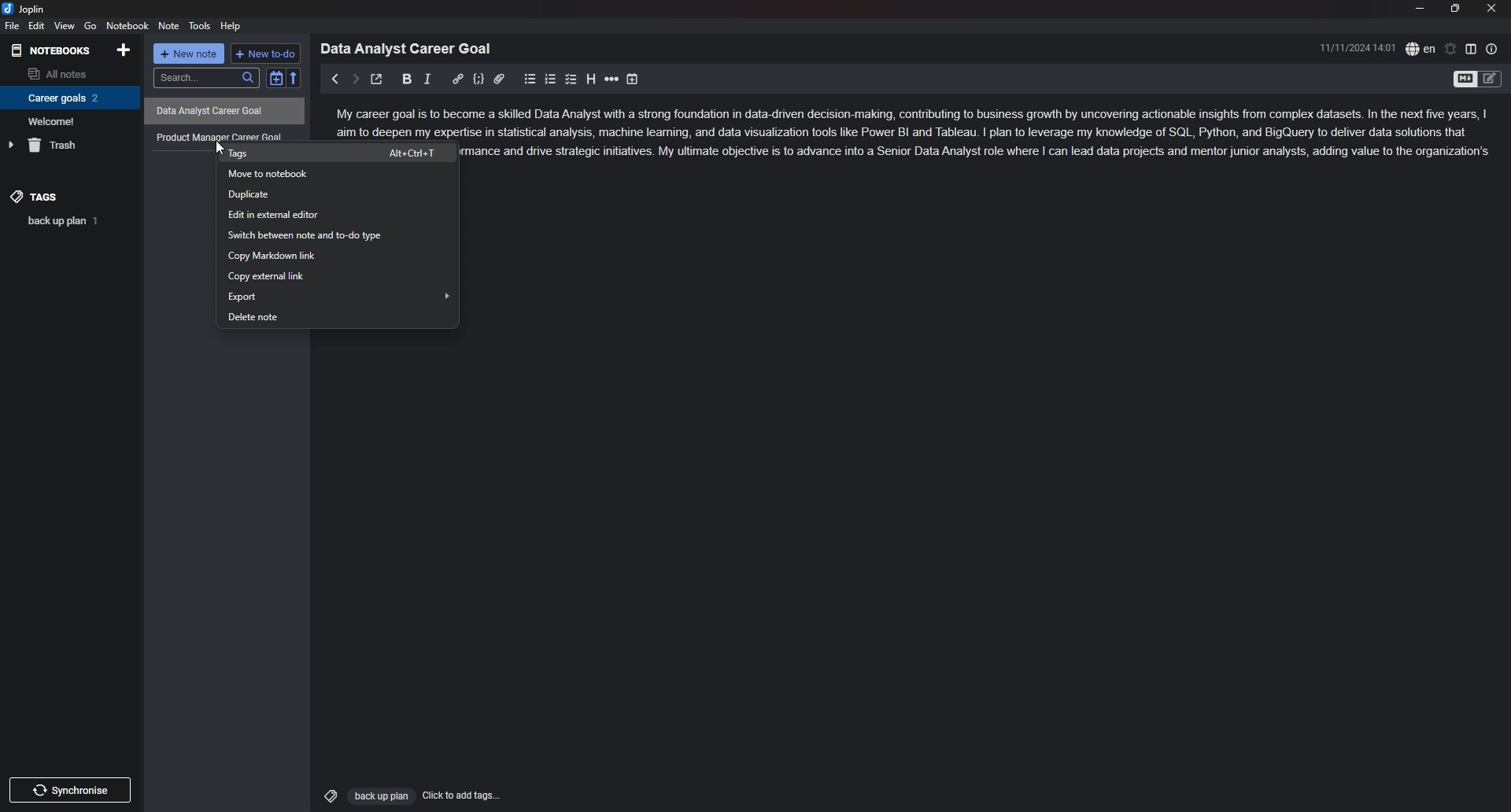  I want to click on bold, so click(408, 79).